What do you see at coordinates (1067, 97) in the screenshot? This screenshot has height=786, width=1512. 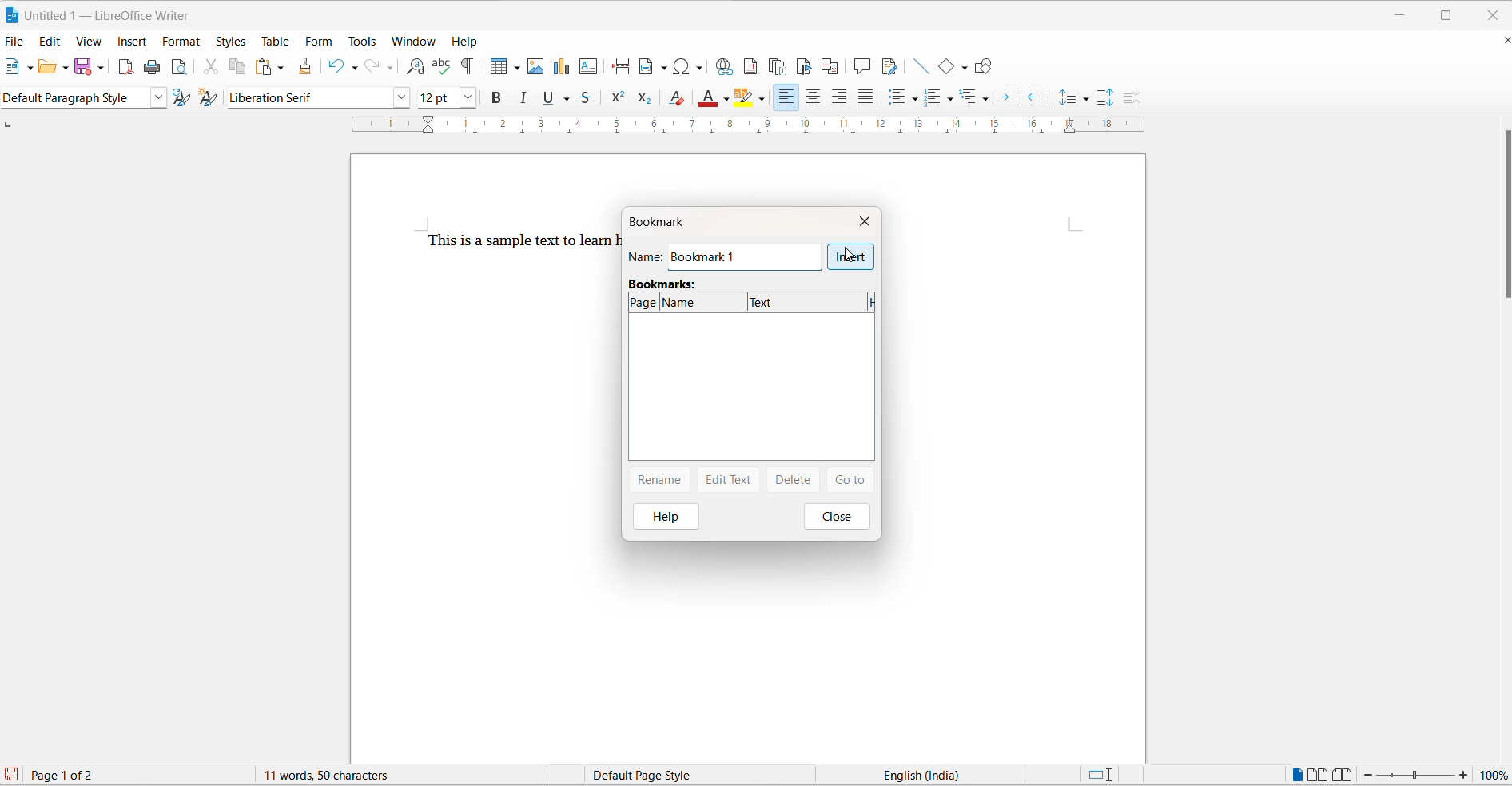 I see `line spacing` at bounding box center [1067, 97].